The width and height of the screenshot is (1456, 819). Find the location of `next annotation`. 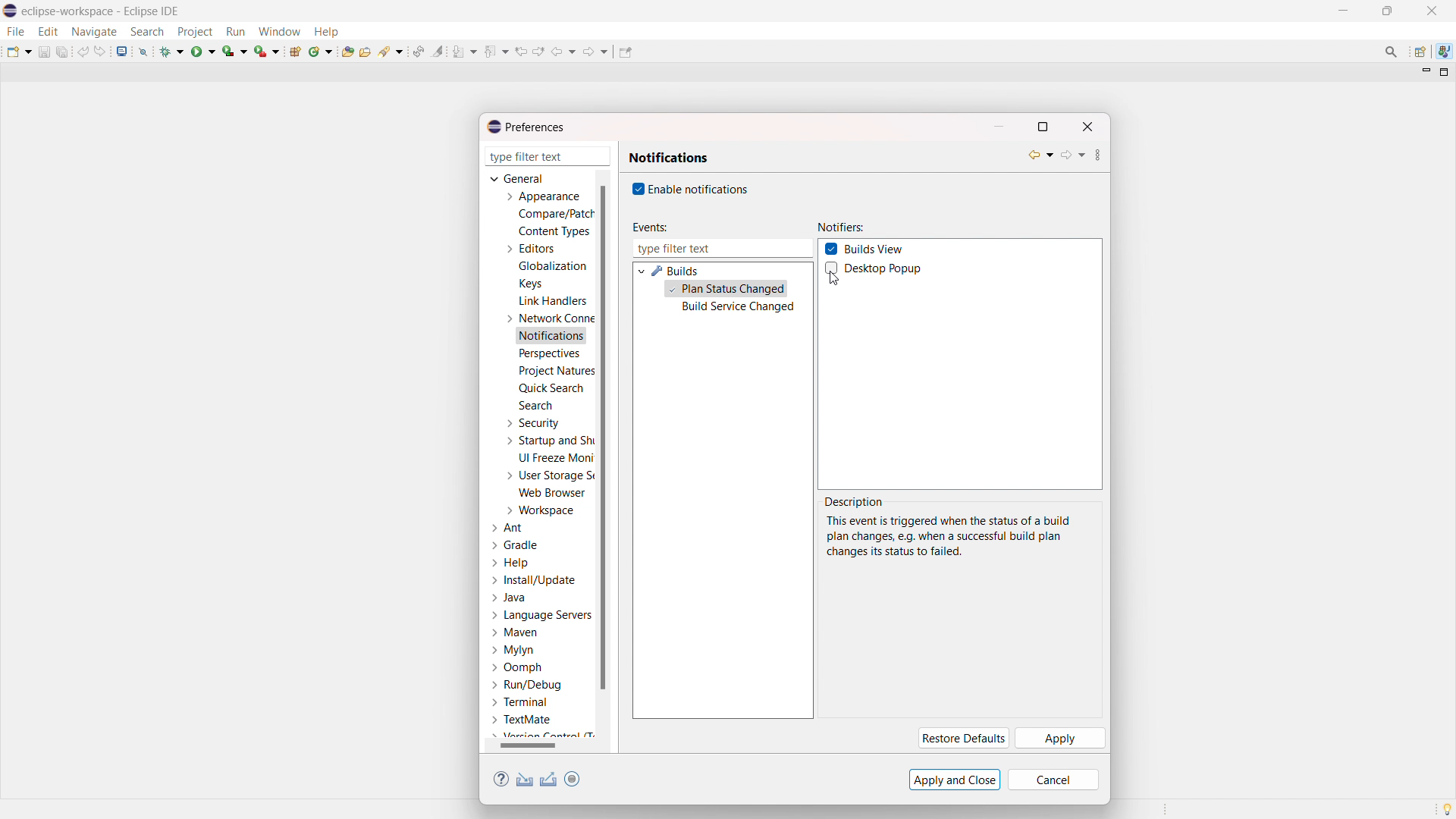

next annotation is located at coordinates (465, 51).